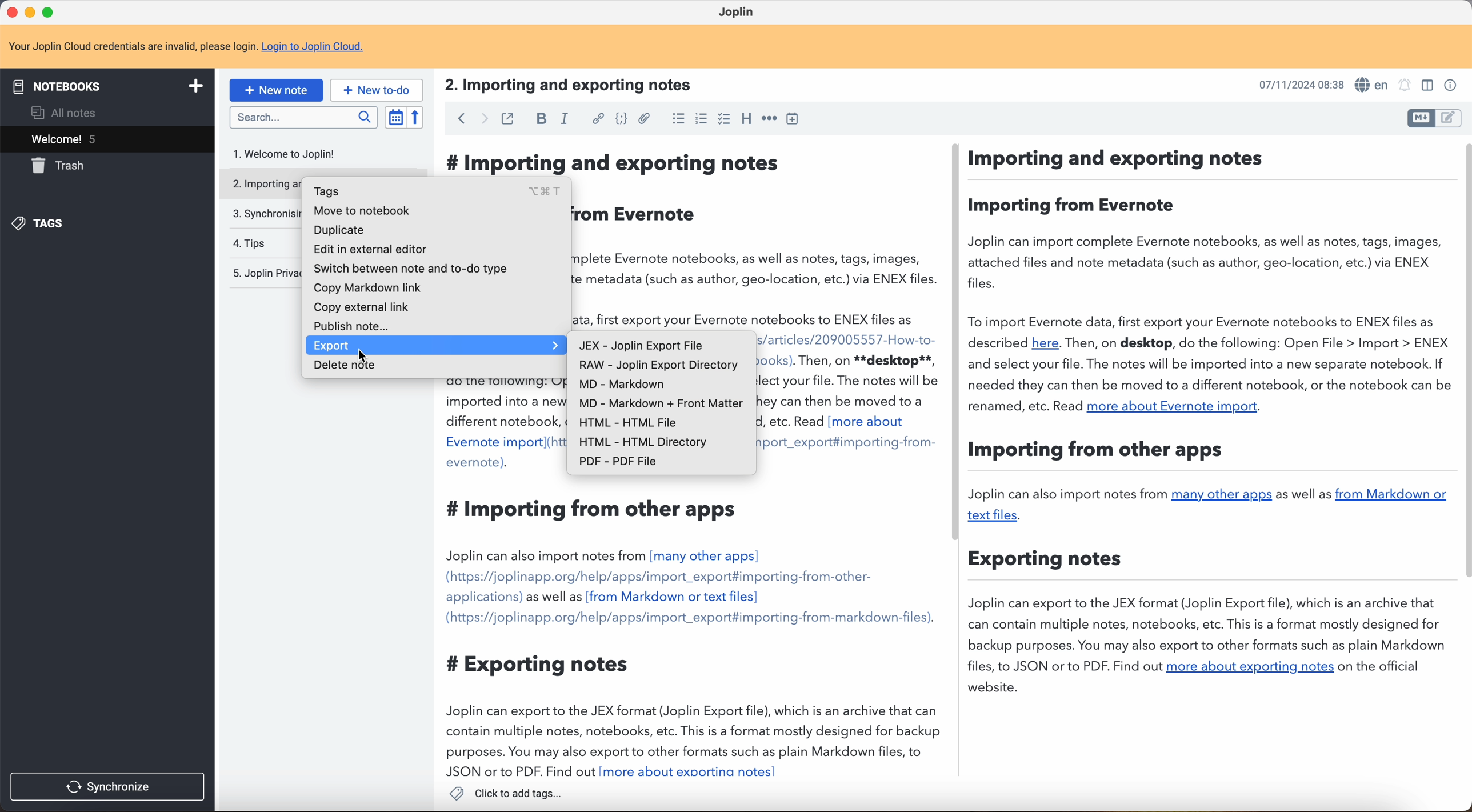  I want to click on toggle sort order field, so click(394, 117).